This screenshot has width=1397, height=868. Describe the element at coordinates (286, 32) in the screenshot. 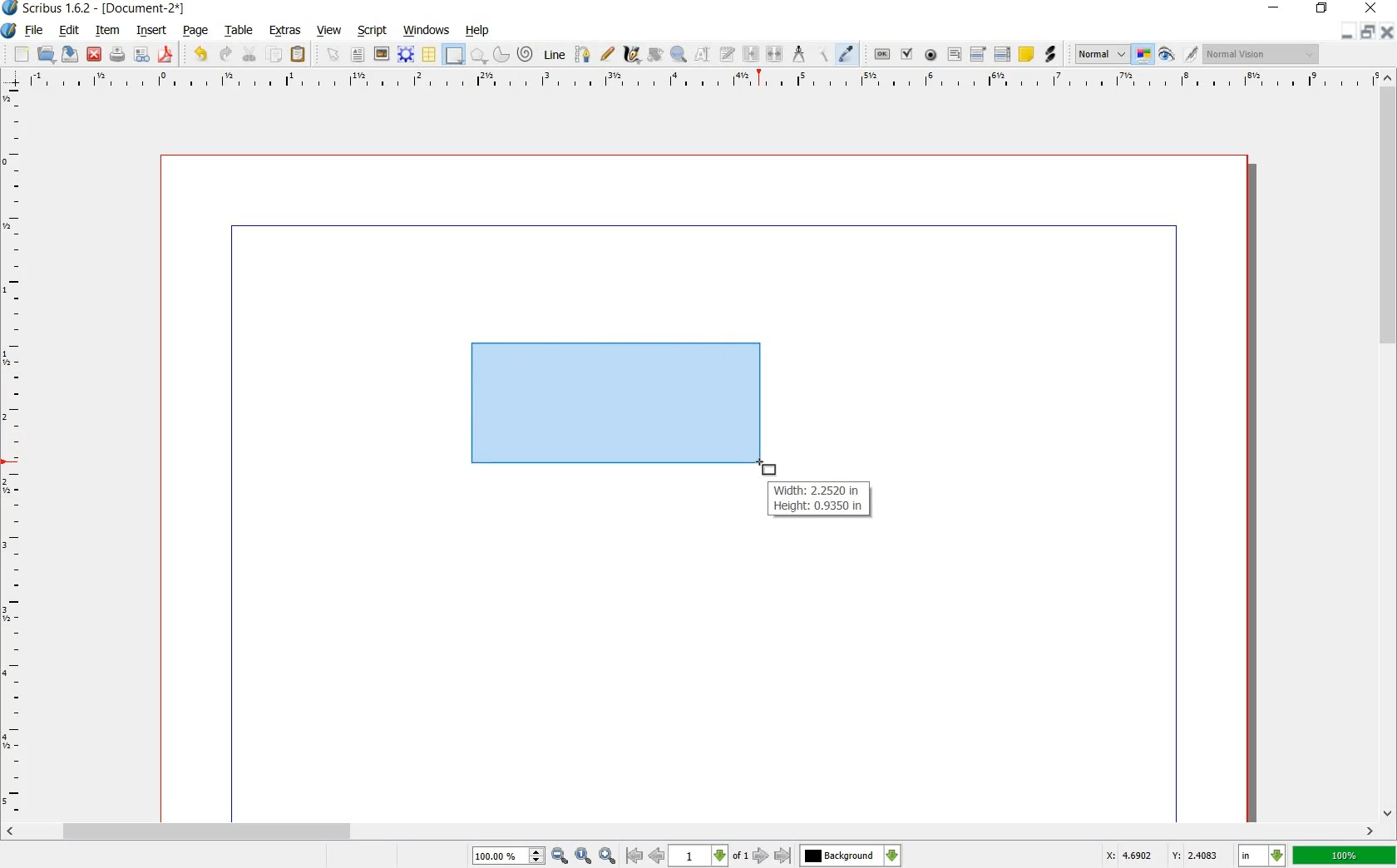

I see `EXTRAS` at that location.